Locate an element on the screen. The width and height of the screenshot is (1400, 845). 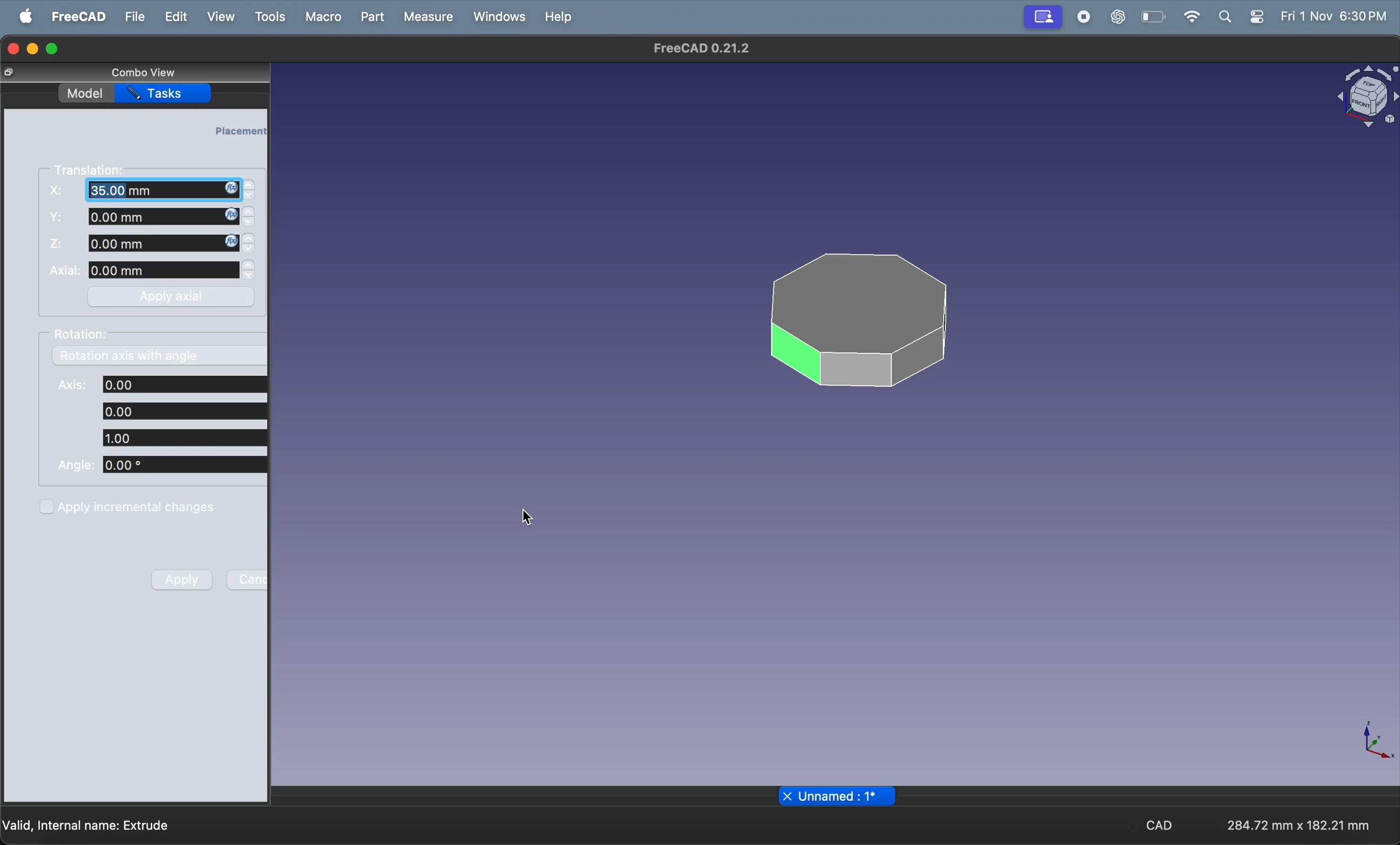
combo view is located at coordinates (140, 72).